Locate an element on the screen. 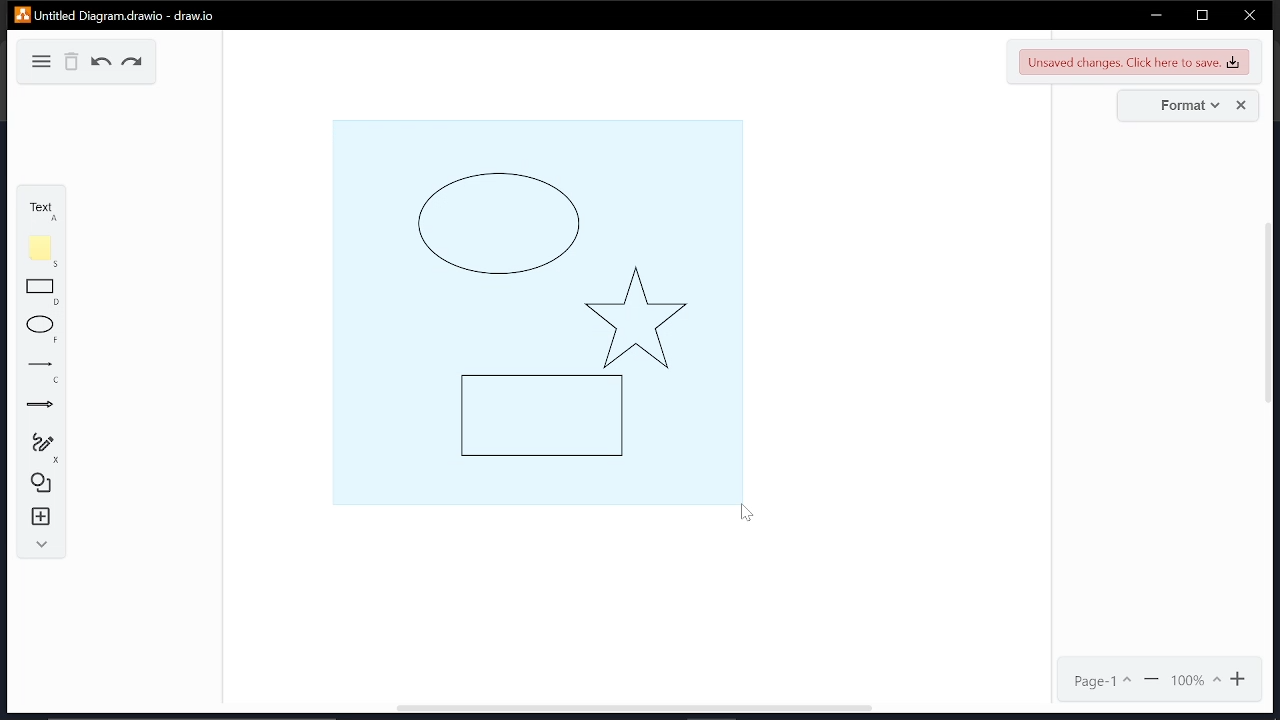 This screenshot has width=1280, height=720. diagram is located at coordinates (38, 60).